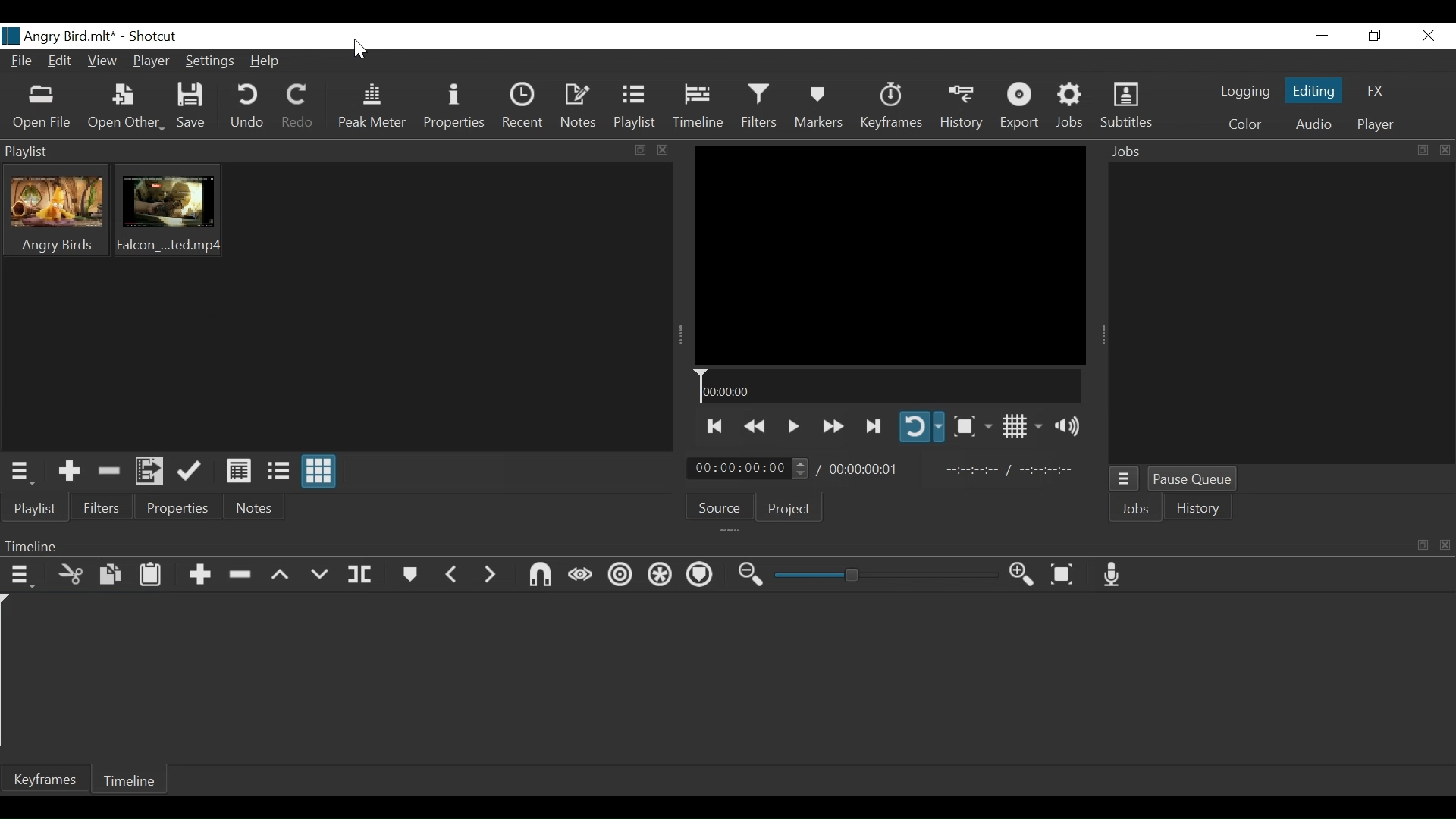  What do you see at coordinates (453, 576) in the screenshot?
I see `Previous marker` at bounding box center [453, 576].